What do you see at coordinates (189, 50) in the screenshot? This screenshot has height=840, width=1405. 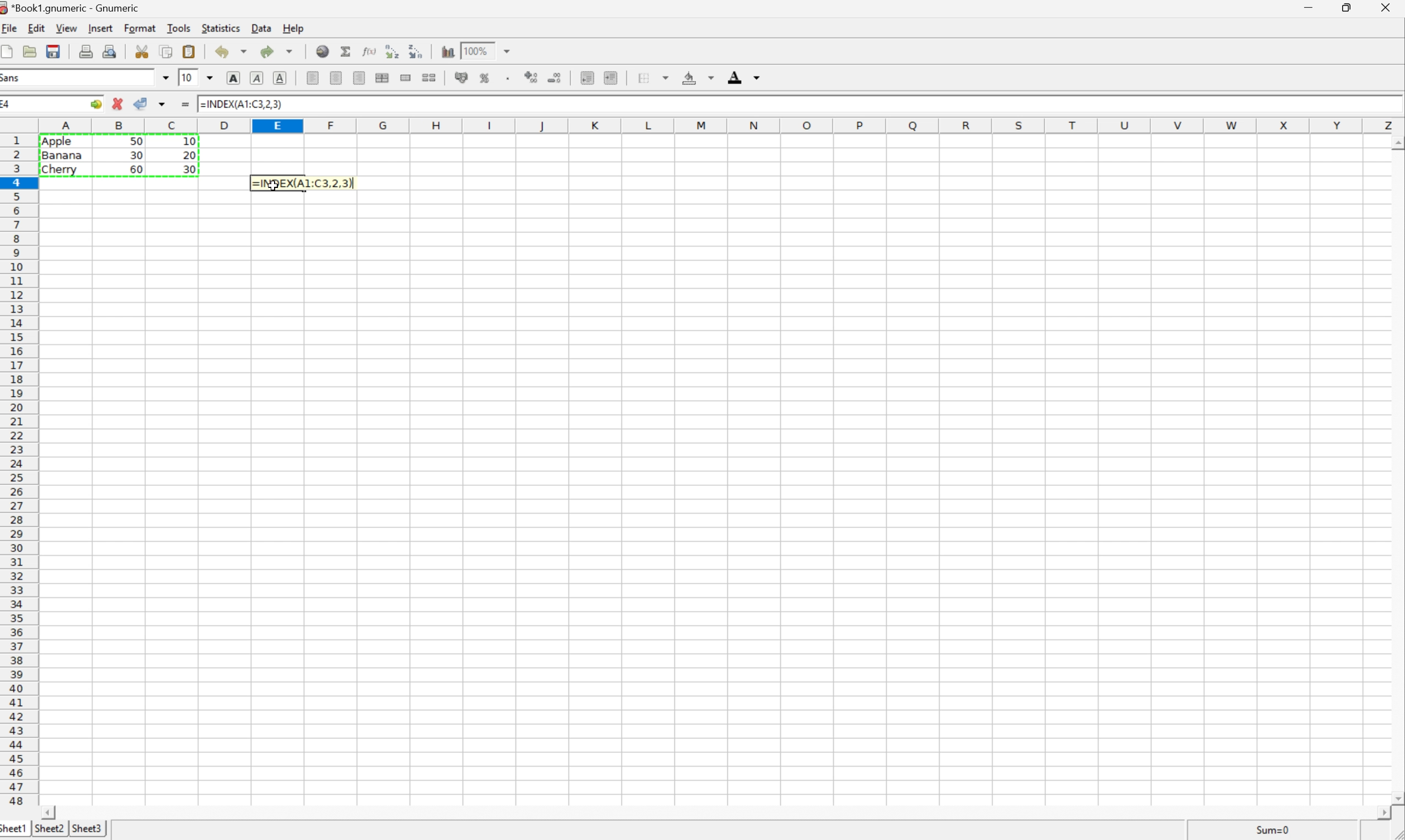 I see `paste` at bounding box center [189, 50].